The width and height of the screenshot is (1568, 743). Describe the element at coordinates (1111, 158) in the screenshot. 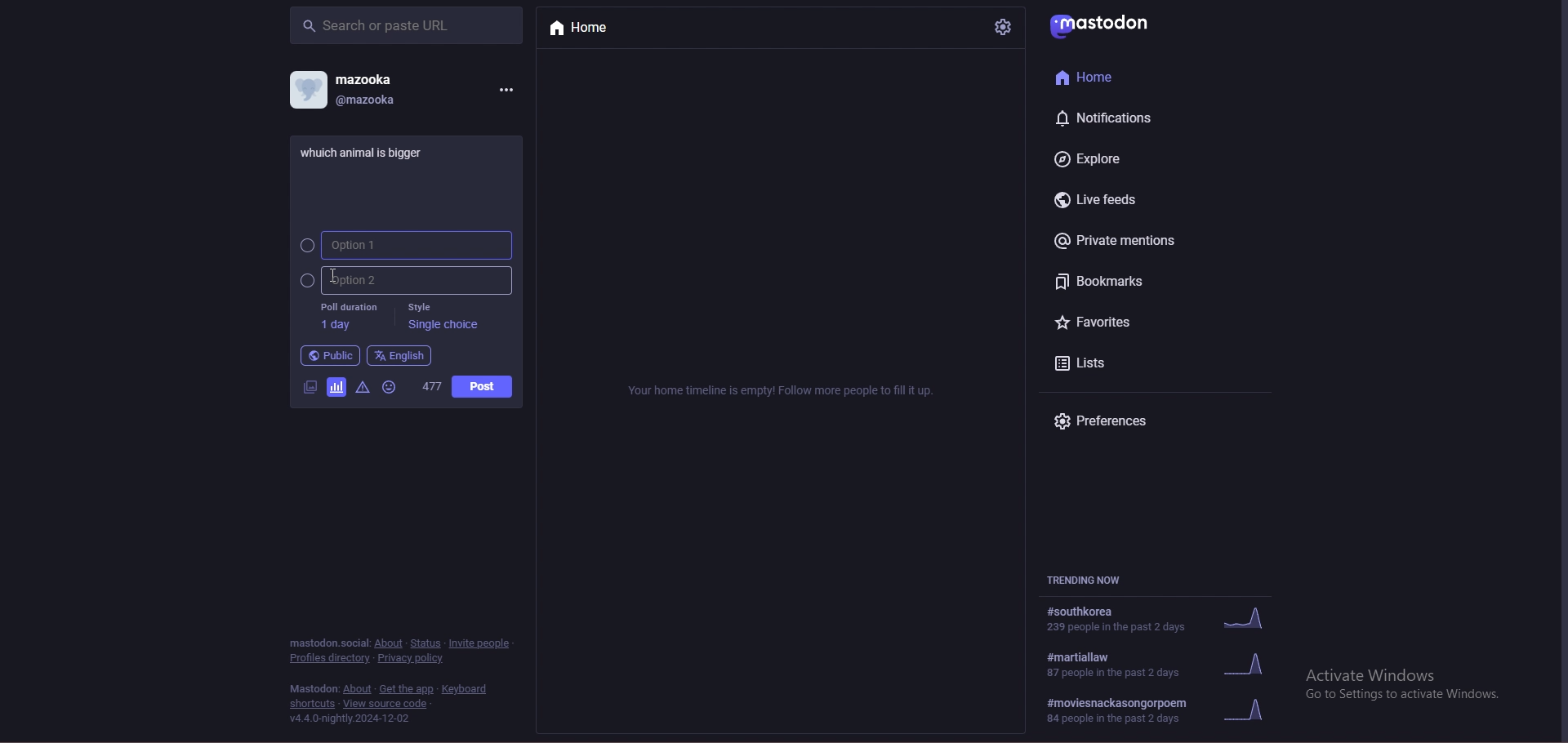

I see `explore` at that location.